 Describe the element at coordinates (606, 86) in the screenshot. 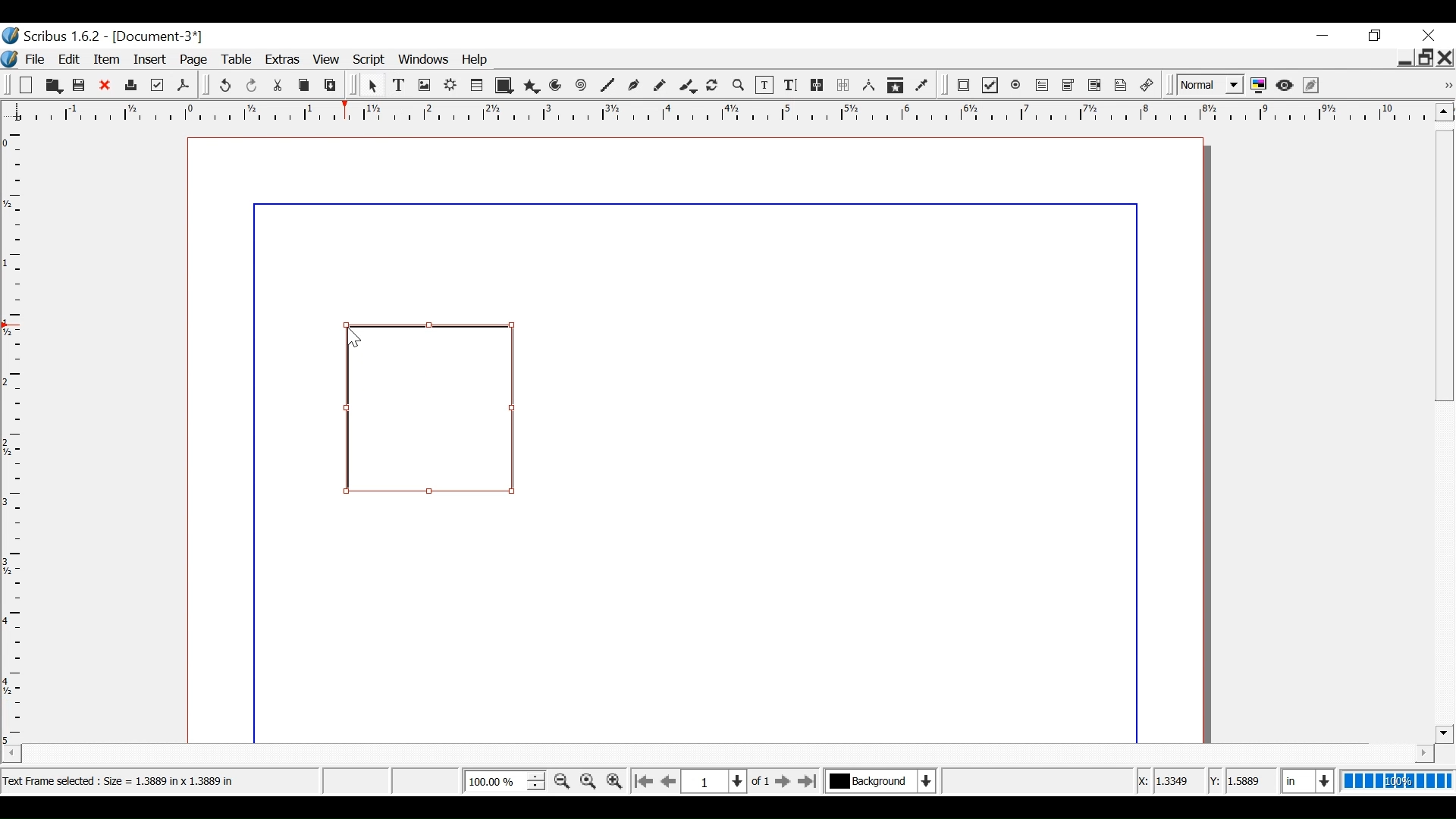

I see `Line` at that location.